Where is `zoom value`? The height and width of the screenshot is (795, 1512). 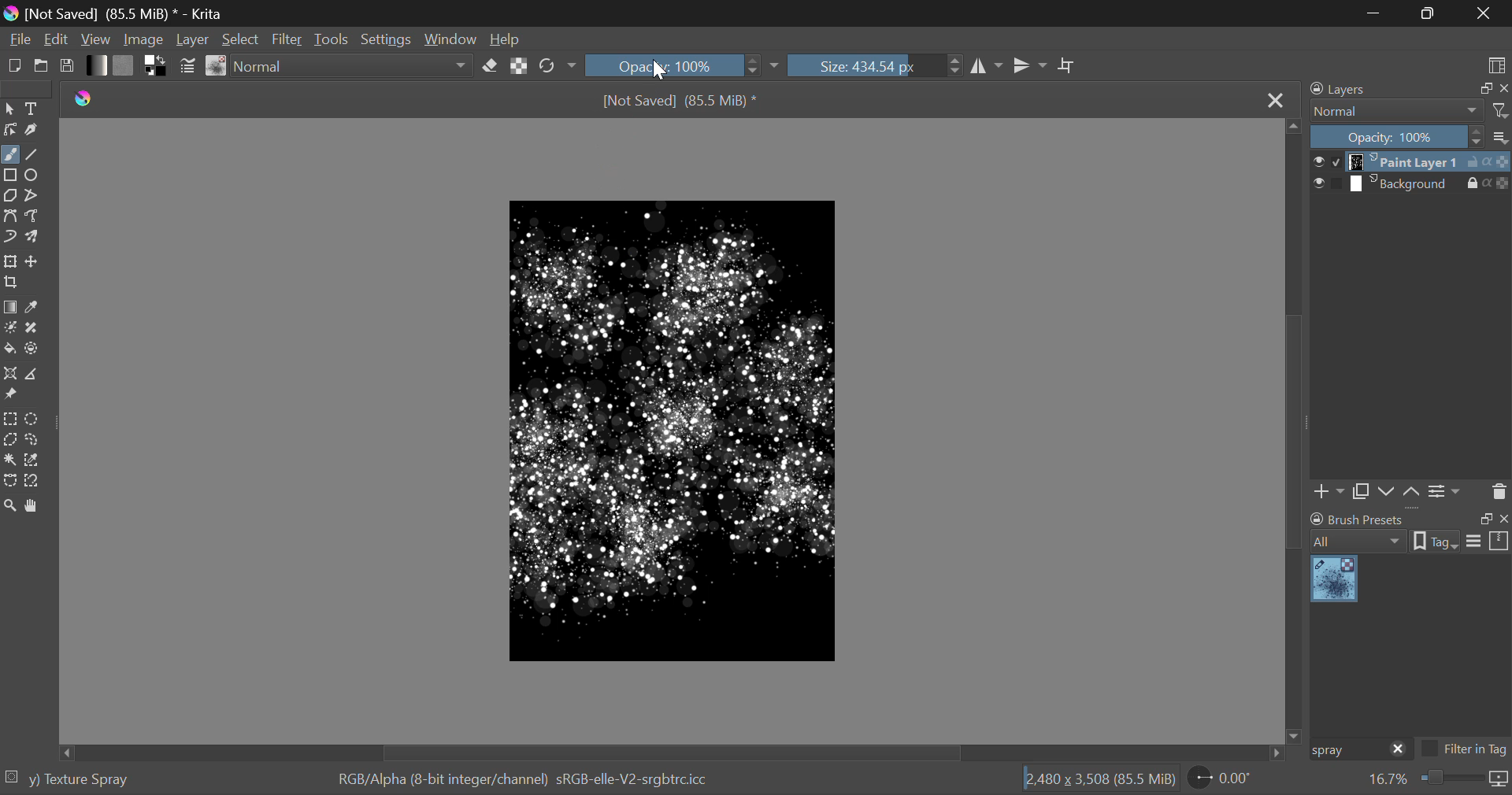
zoom value is located at coordinates (1388, 780).